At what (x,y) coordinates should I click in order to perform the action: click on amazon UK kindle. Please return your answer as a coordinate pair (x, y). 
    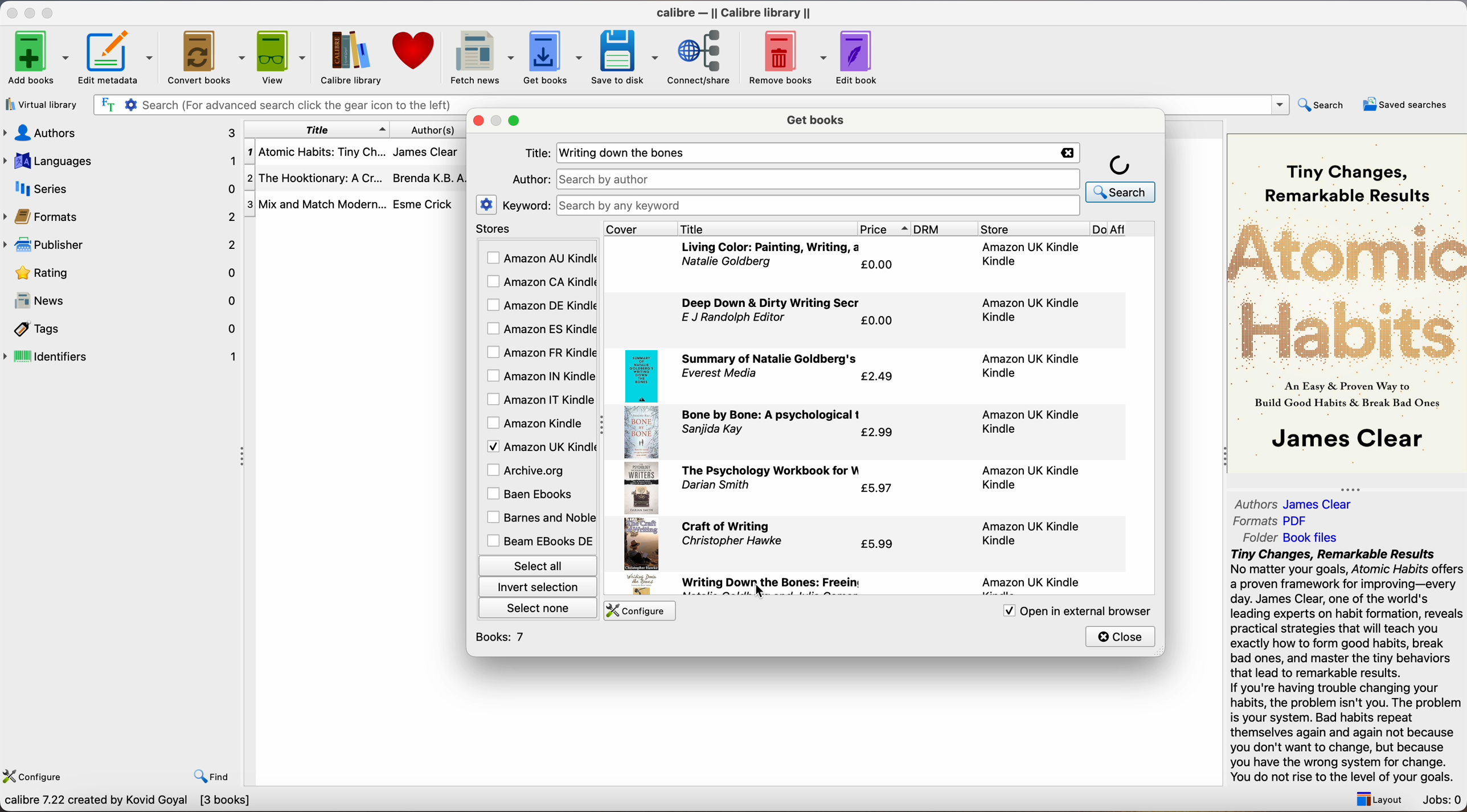
    Looking at the image, I should click on (1029, 309).